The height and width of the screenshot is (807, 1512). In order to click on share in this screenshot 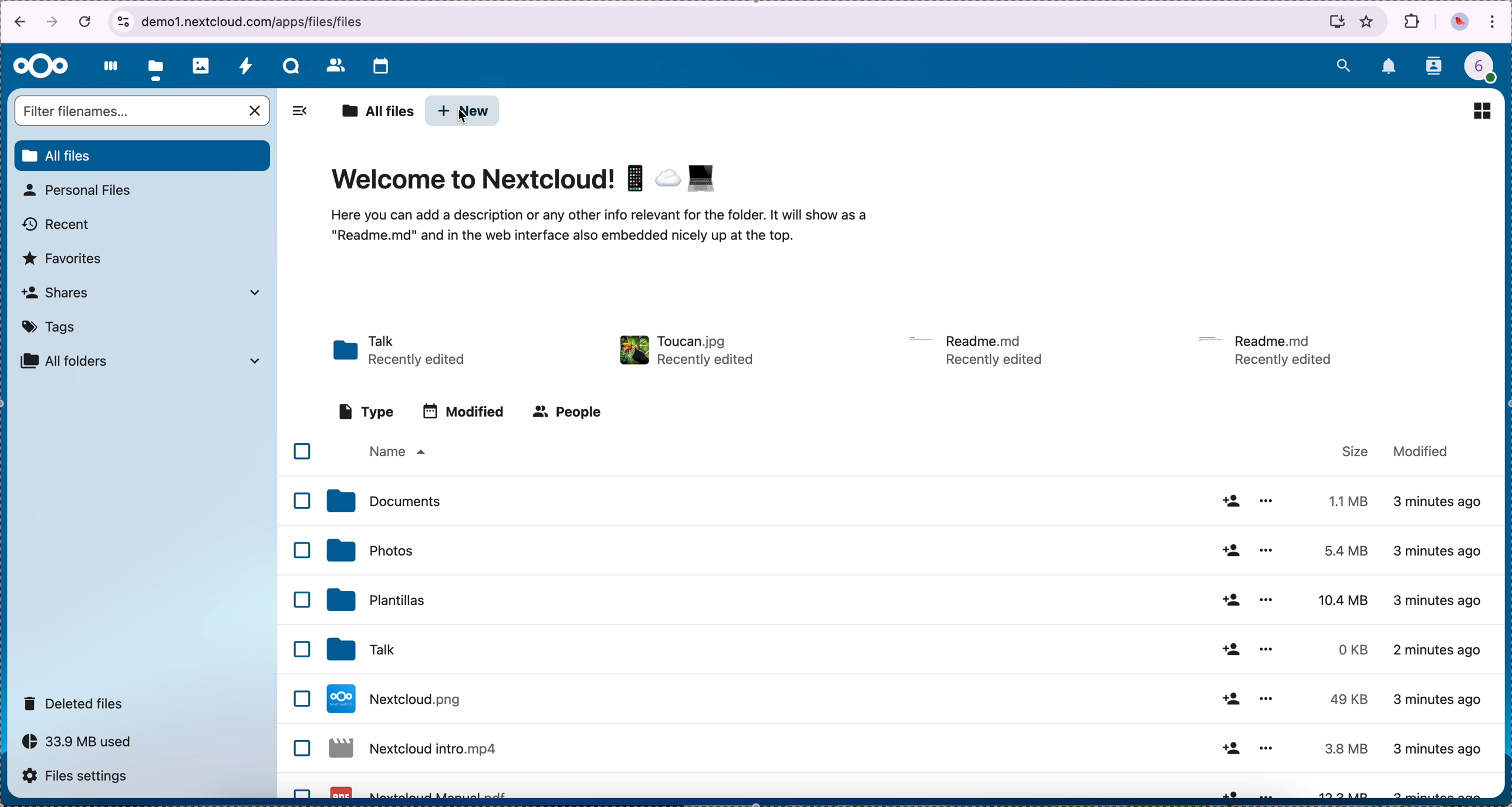, I will do `click(1229, 501)`.